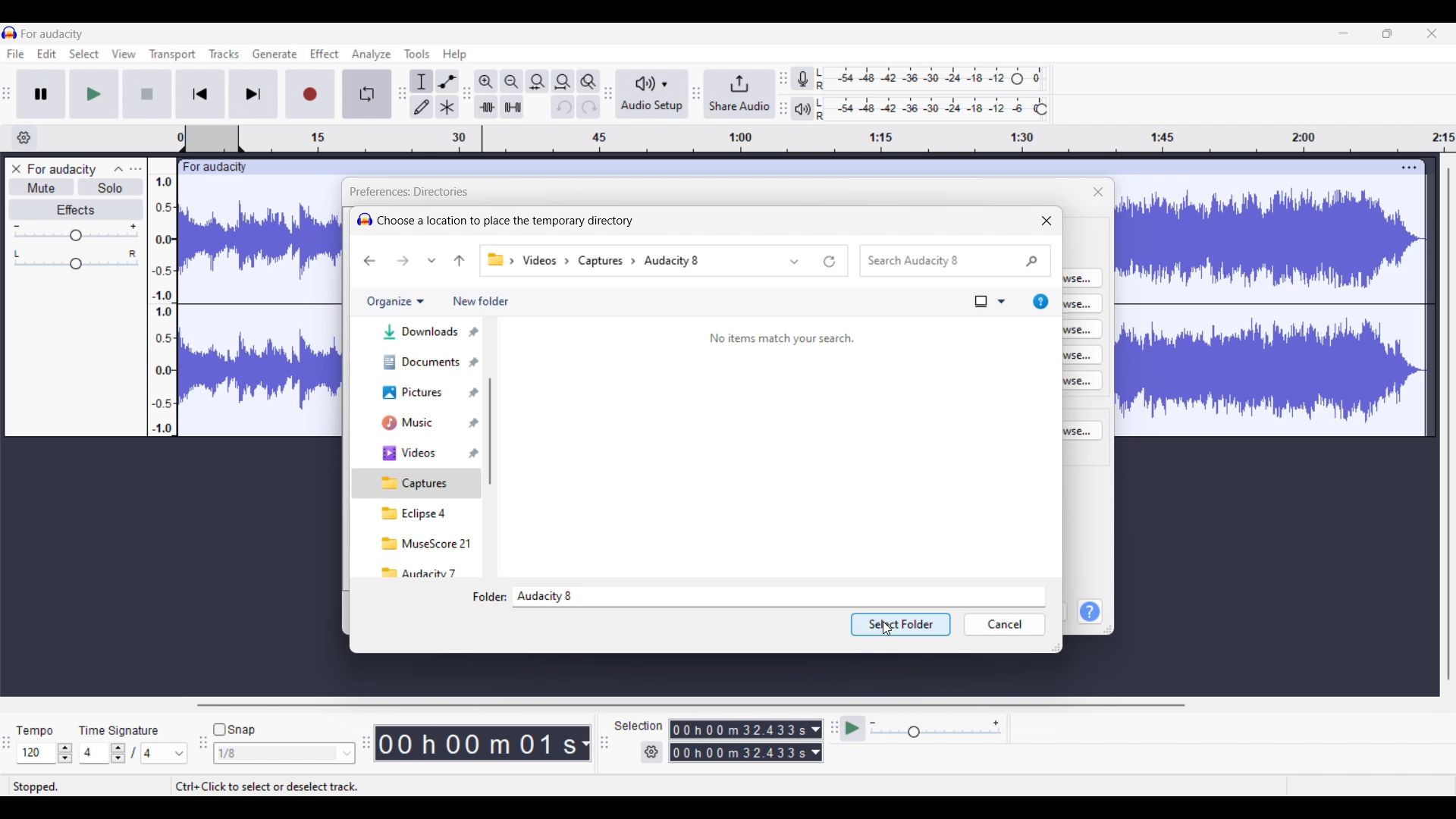 Image resolution: width=1456 pixels, height=819 pixels. I want to click on Indicates text box to input folder name, so click(489, 596).